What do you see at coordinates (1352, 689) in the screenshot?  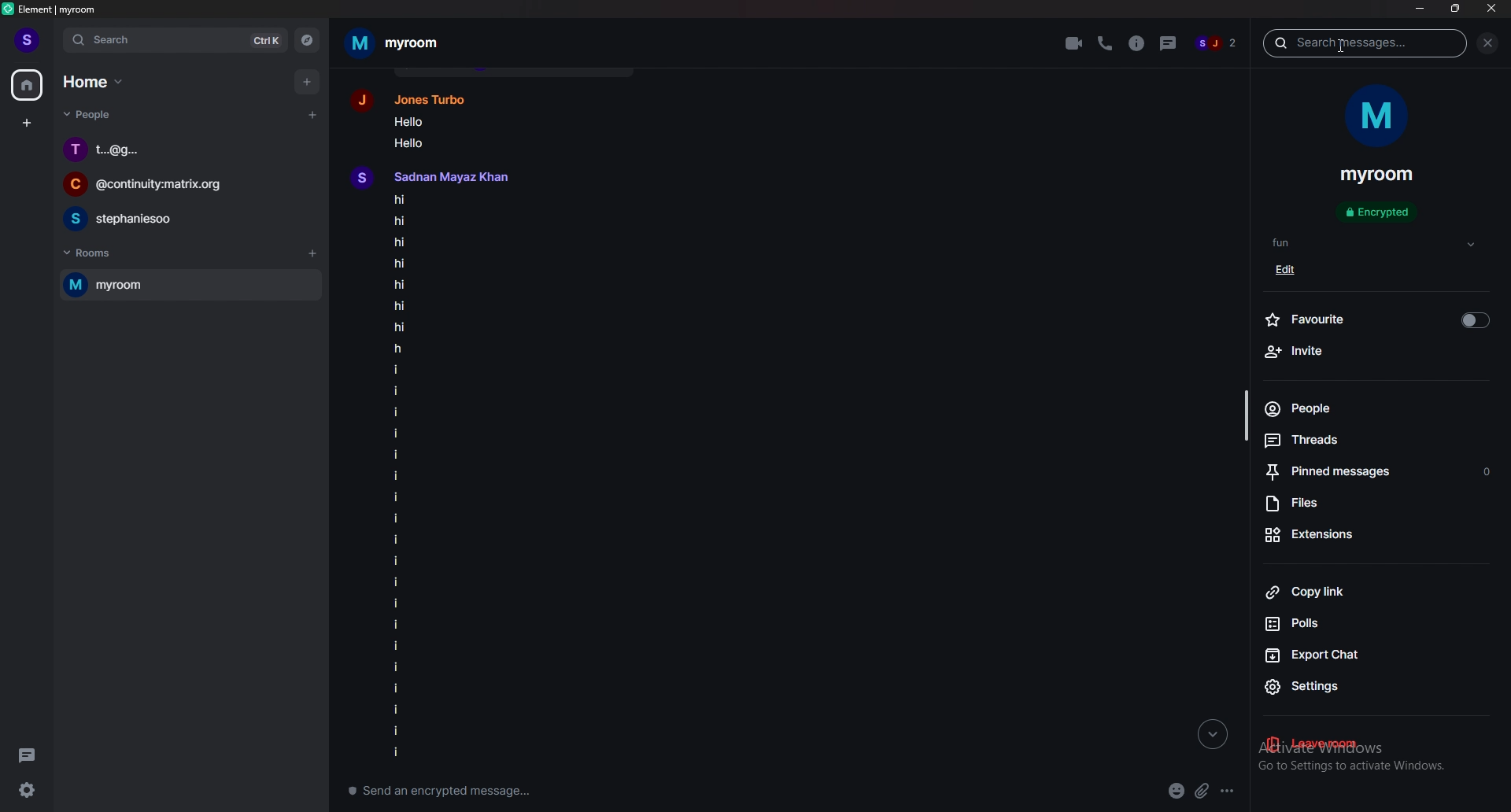 I see `settings` at bounding box center [1352, 689].